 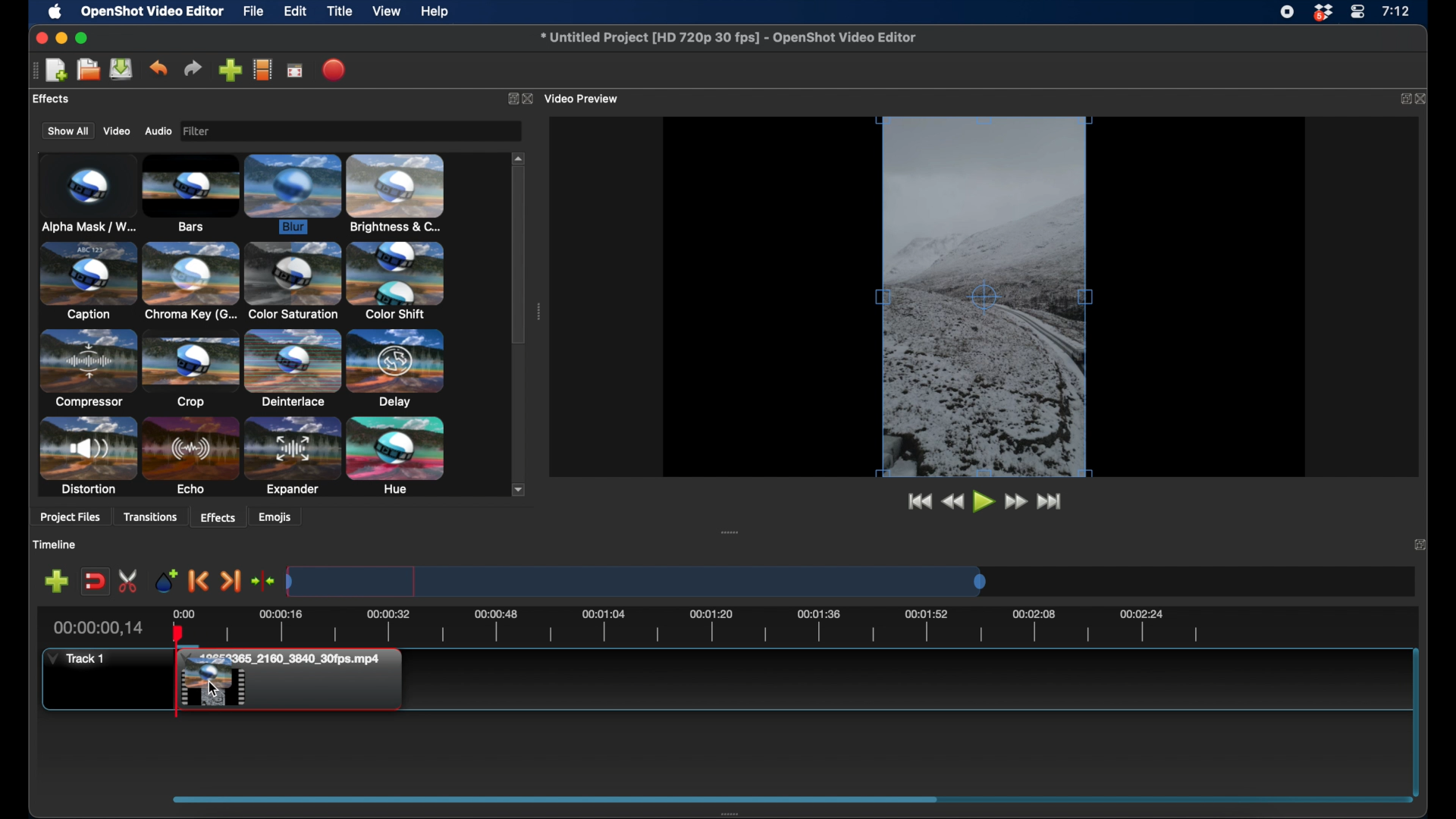 What do you see at coordinates (86, 70) in the screenshot?
I see `open project` at bounding box center [86, 70].